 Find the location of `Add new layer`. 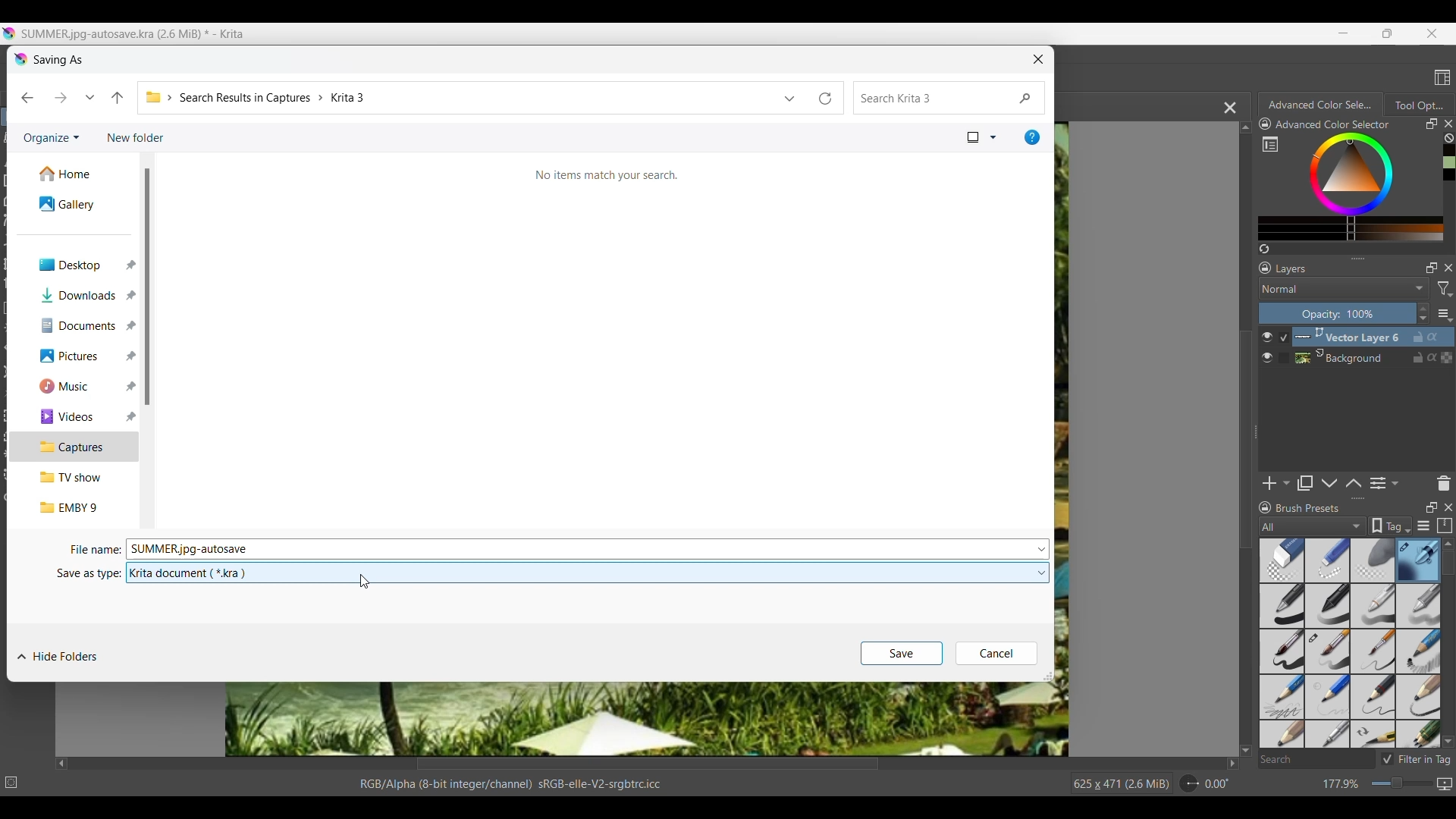

Add new layer is located at coordinates (1276, 483).